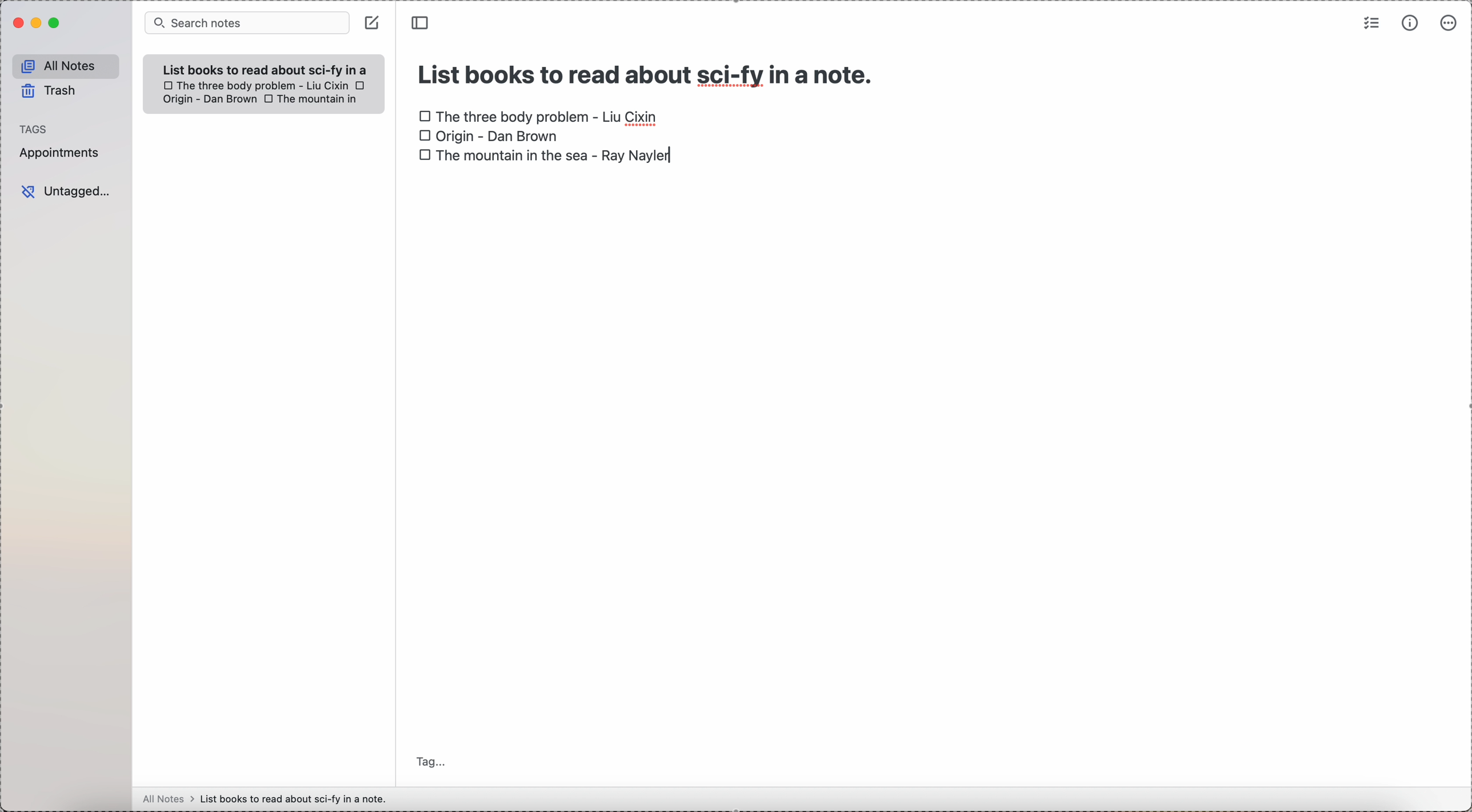 Image resolution: width=1472 pixels, height=812 pixels. Describe the element at coordinates (246, 23) in the screenshot. I see `search bar` at that location.